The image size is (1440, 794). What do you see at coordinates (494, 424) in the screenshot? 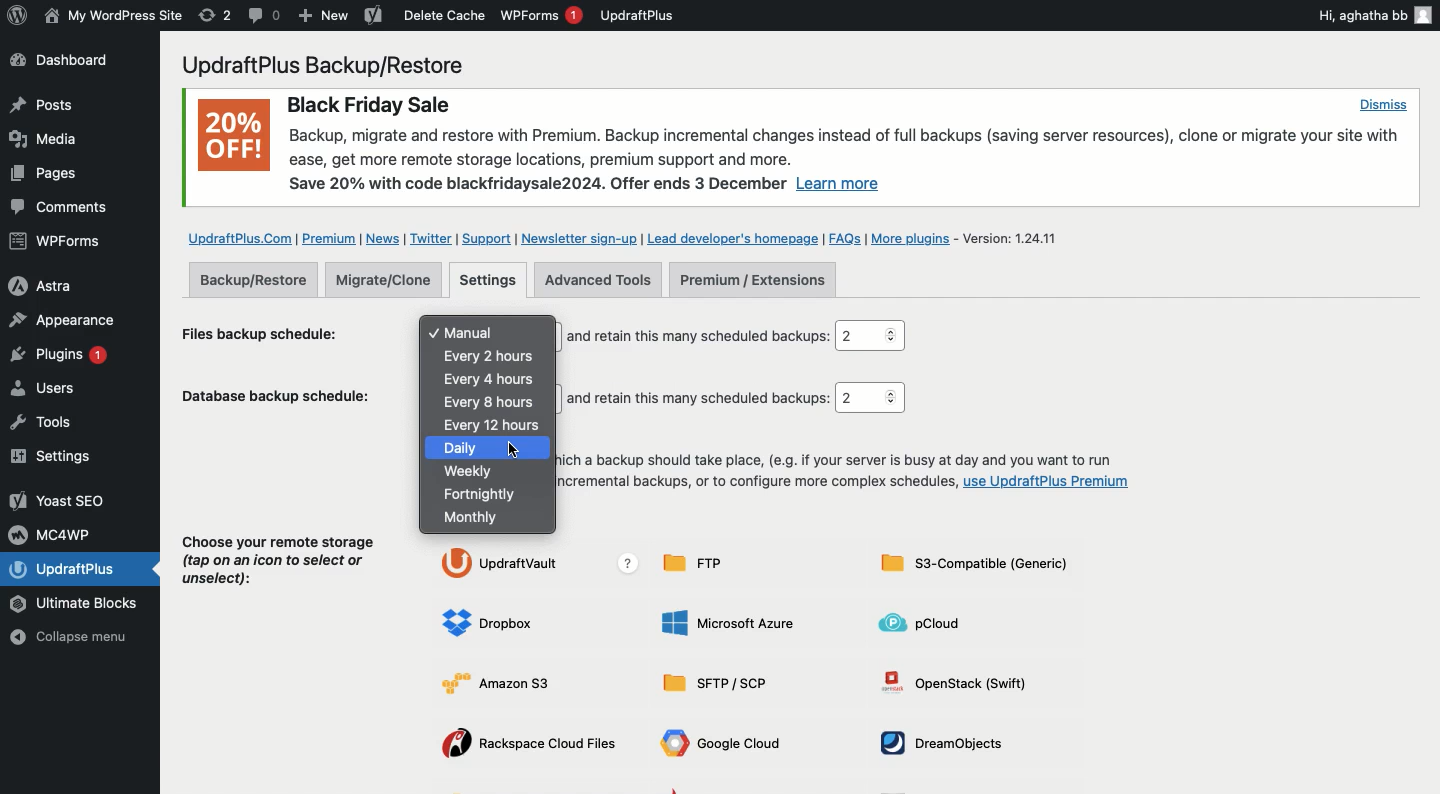
I see `Every 12 hours` at bounding box center [494, 424].